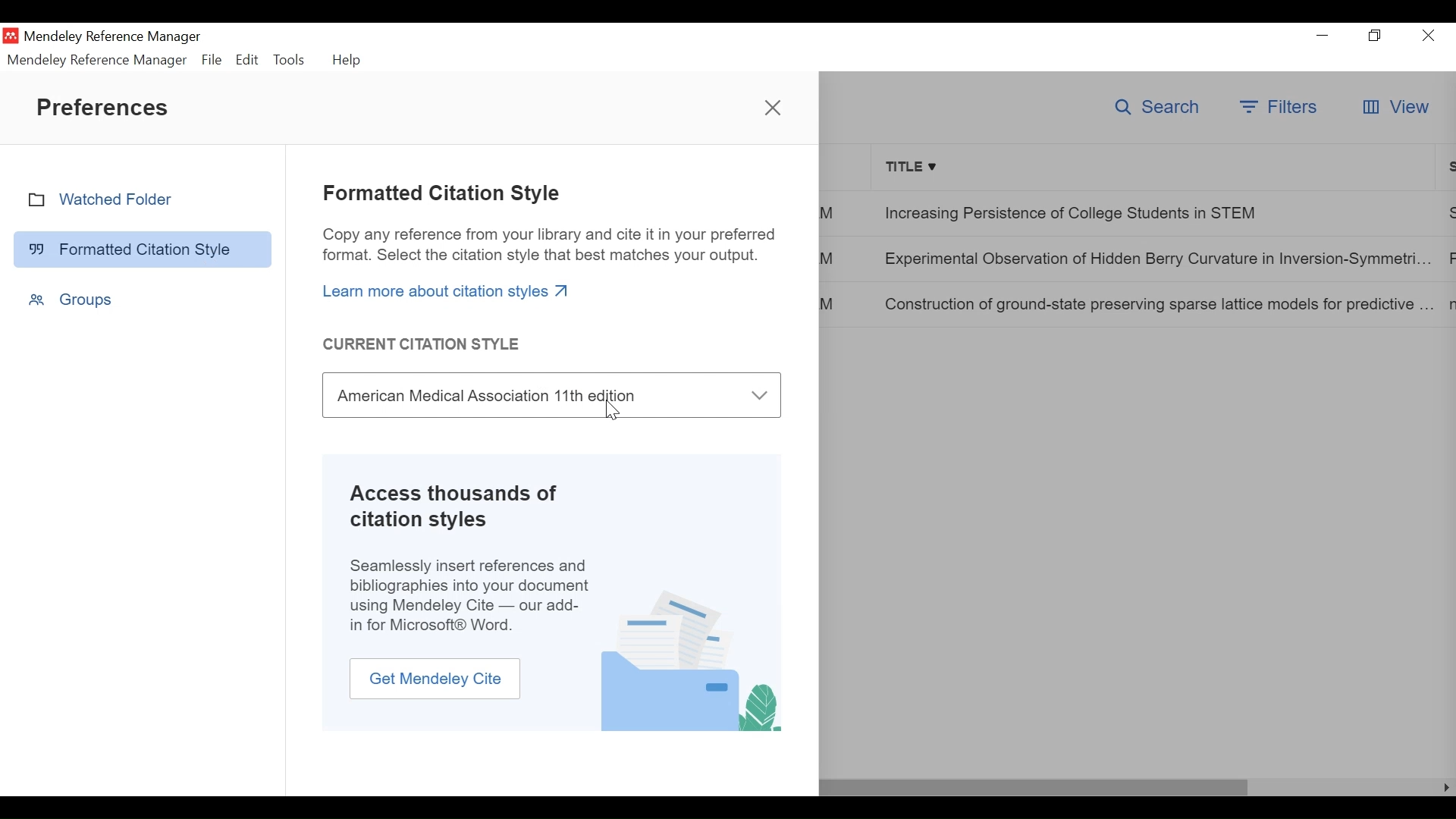  I want to click on close, so click(775, 111).